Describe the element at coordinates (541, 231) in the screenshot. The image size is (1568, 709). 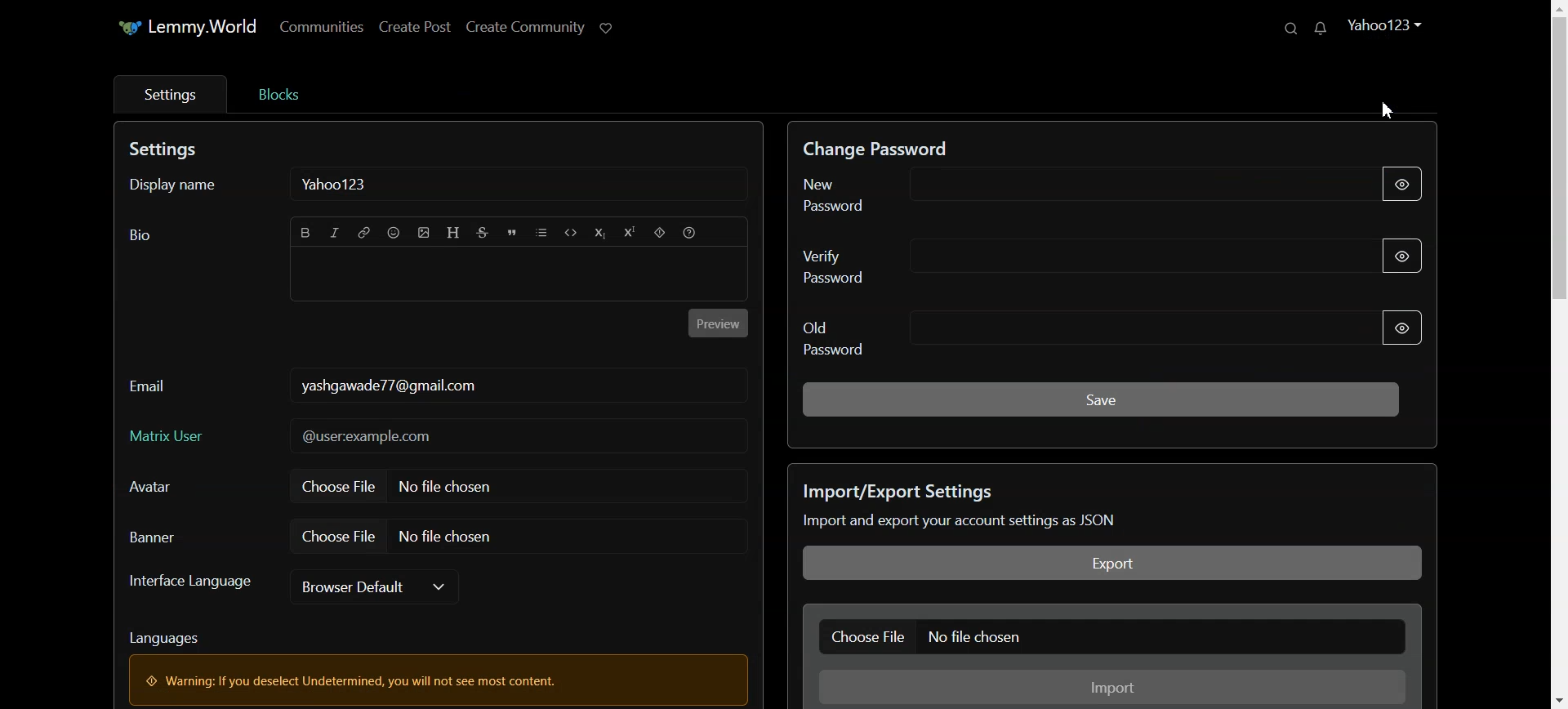
I see `List` at that location.